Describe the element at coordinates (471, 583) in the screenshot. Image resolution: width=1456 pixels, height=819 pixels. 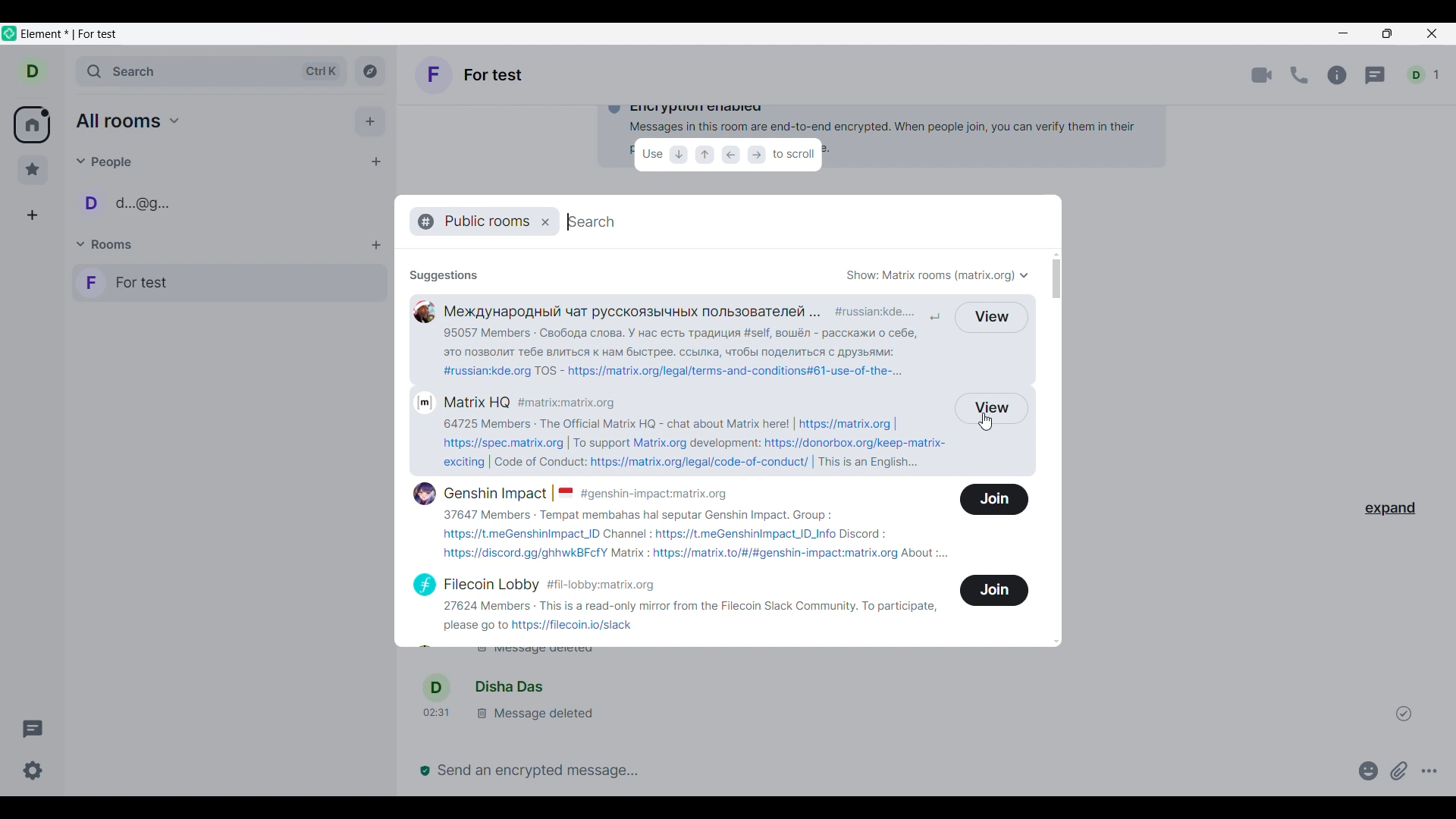
I see `filecoin Lobby` at that location.